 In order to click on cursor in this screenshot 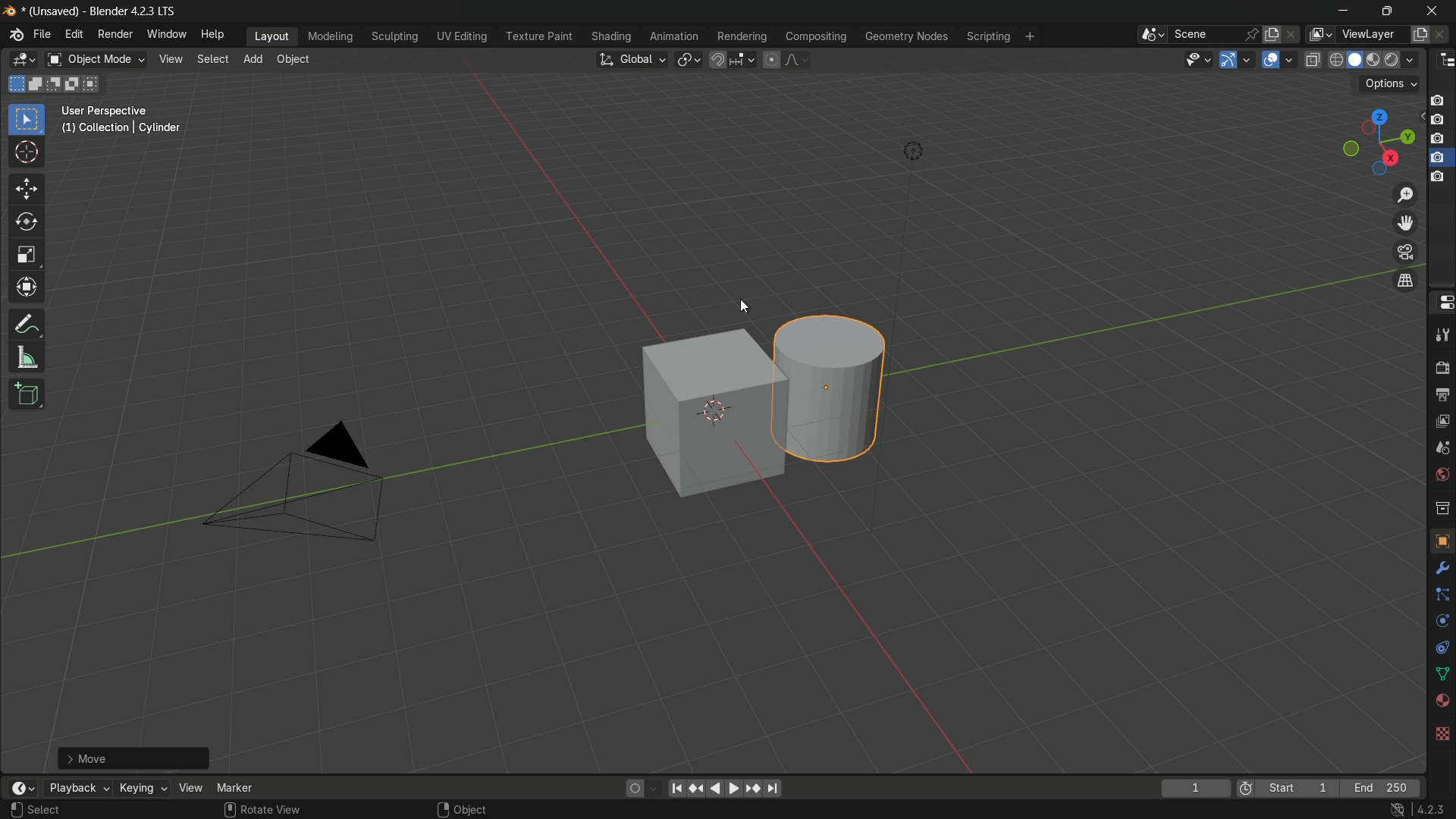, I will do `click(27, 153)`.